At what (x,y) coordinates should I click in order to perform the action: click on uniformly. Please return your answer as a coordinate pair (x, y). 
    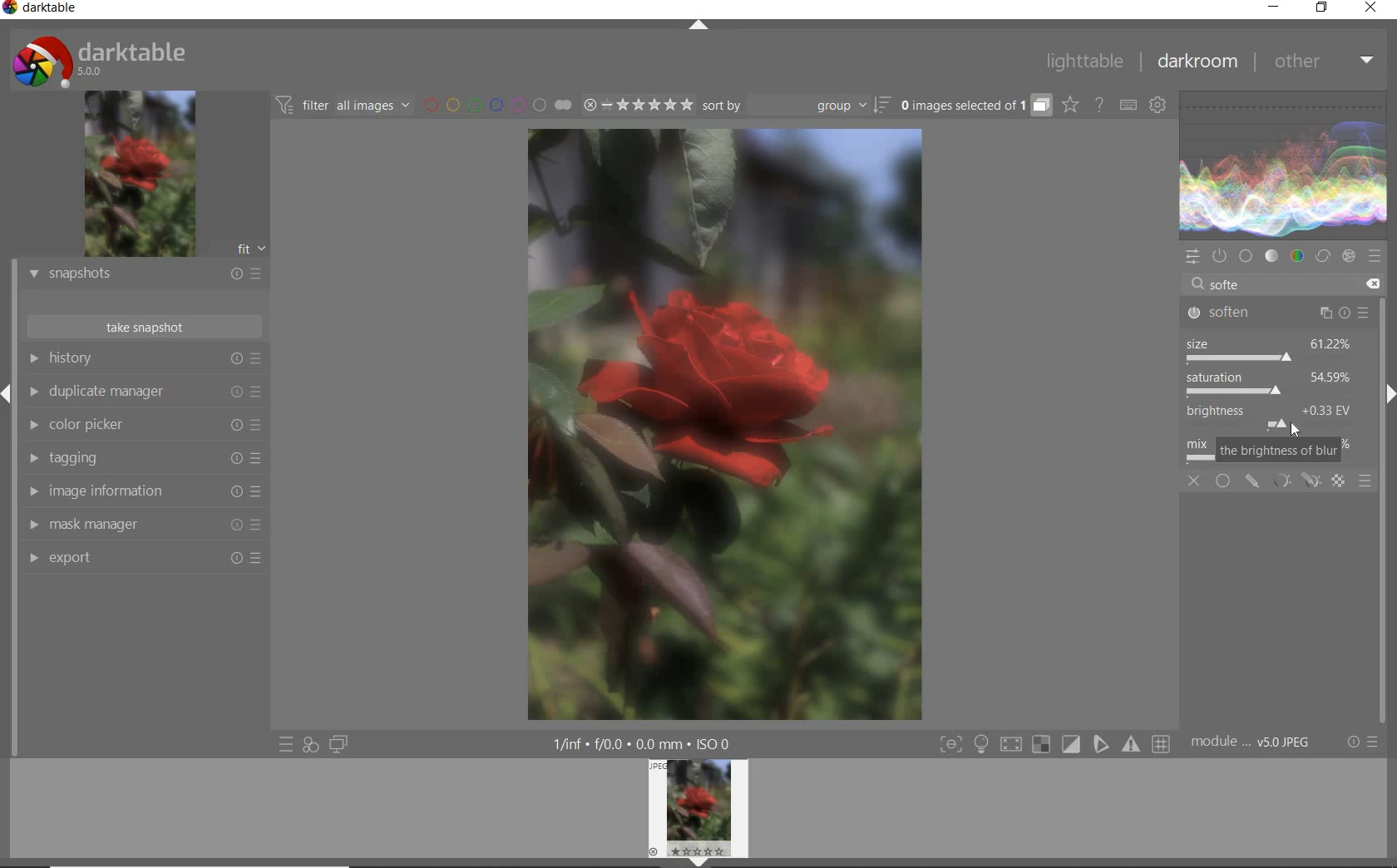
    Looking at the image, I should click on (1223, 481).